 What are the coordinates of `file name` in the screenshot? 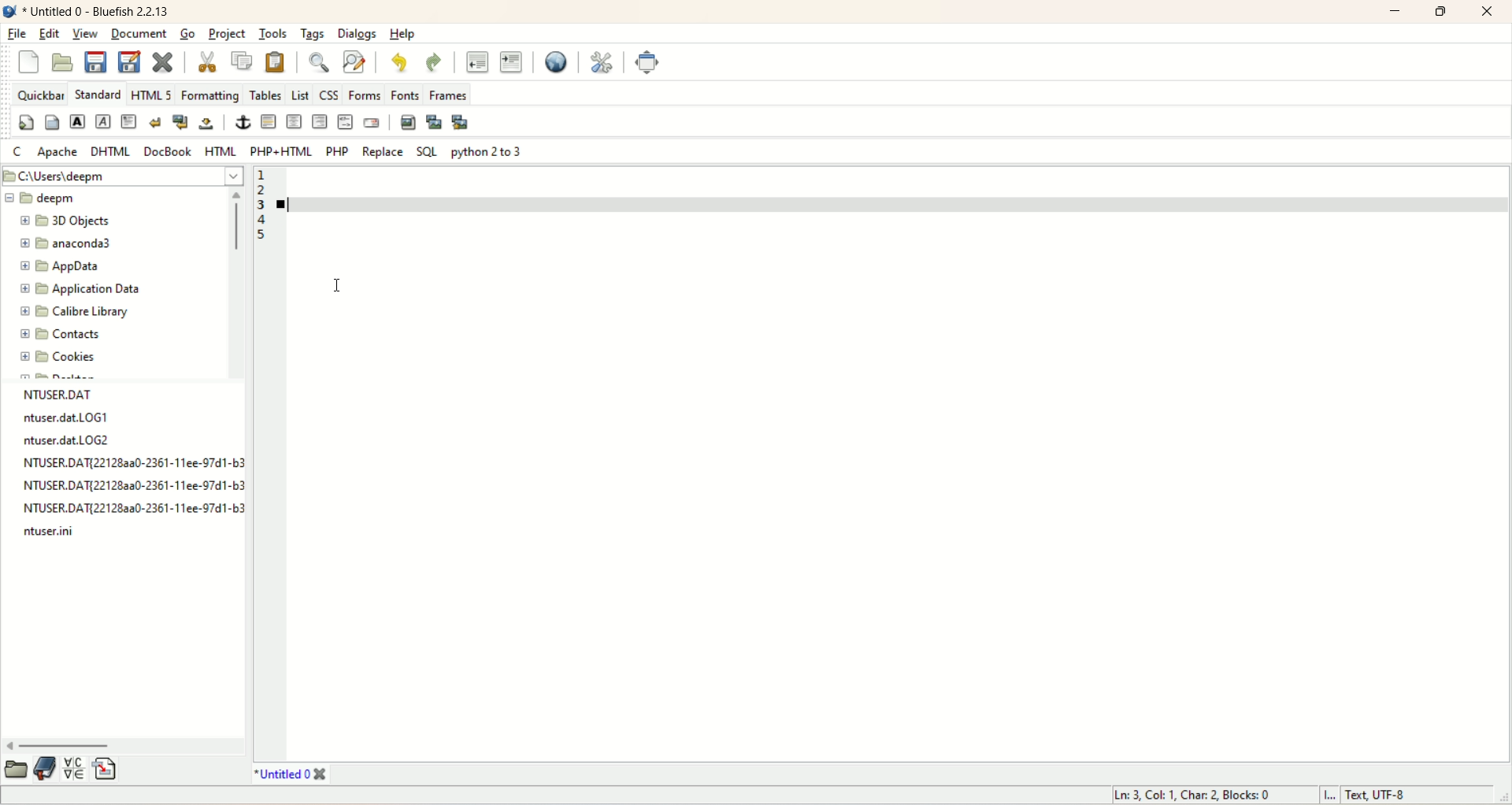 It's located at (131, 465).